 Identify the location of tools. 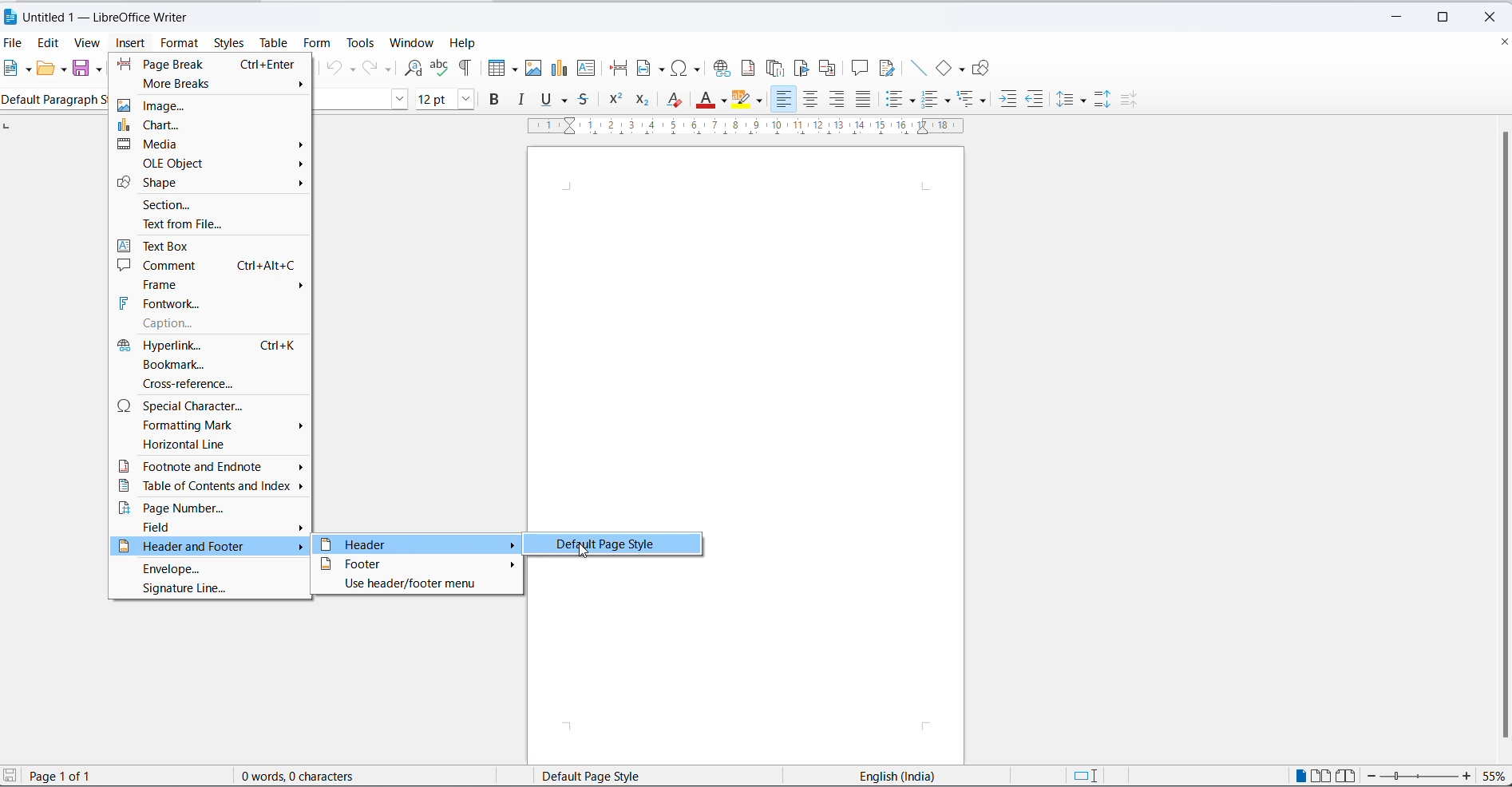
(362, 43).